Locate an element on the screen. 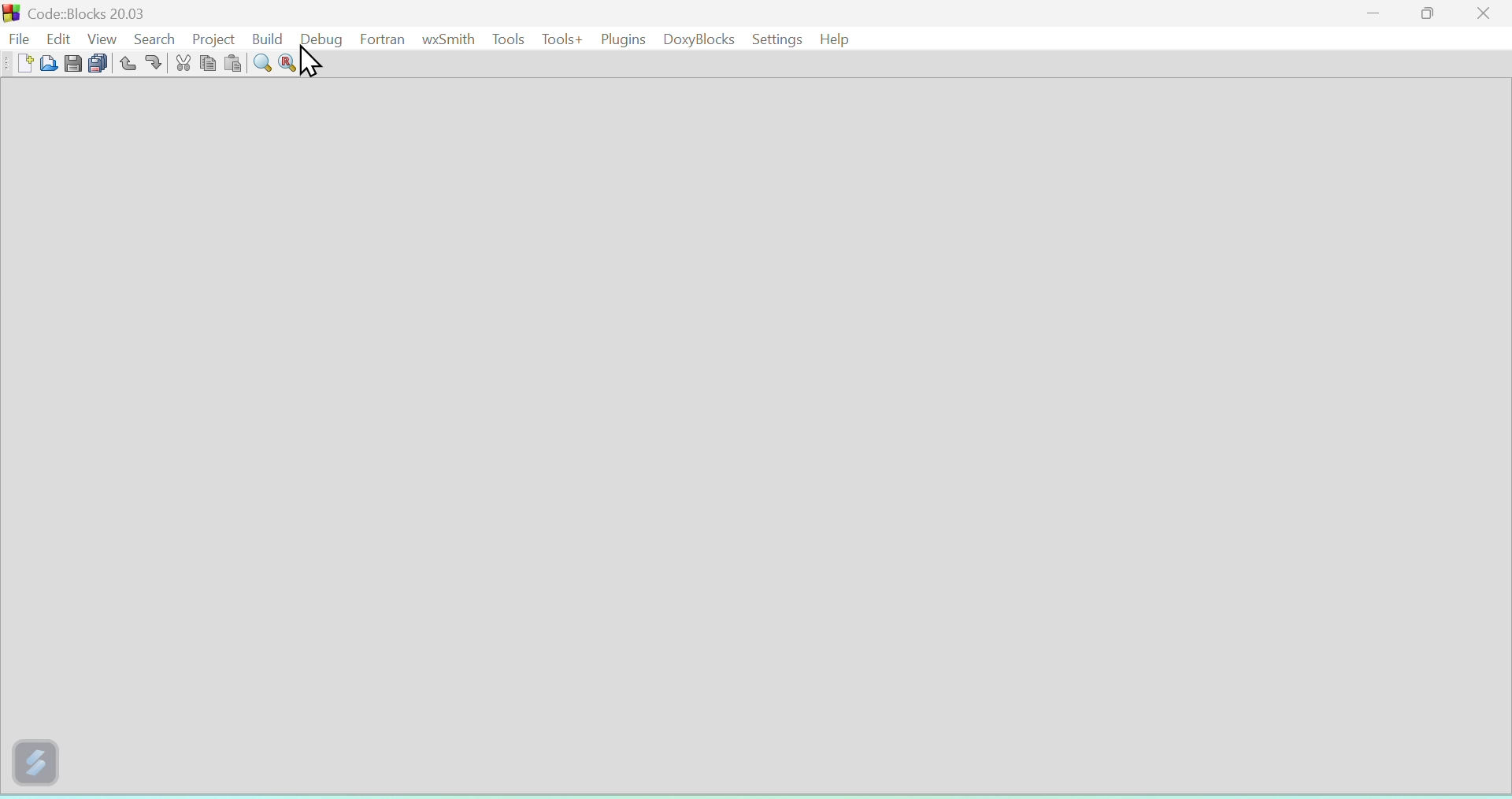 This screenshot has width=1512, height=799. cut  is located at coordinates (183, 65).